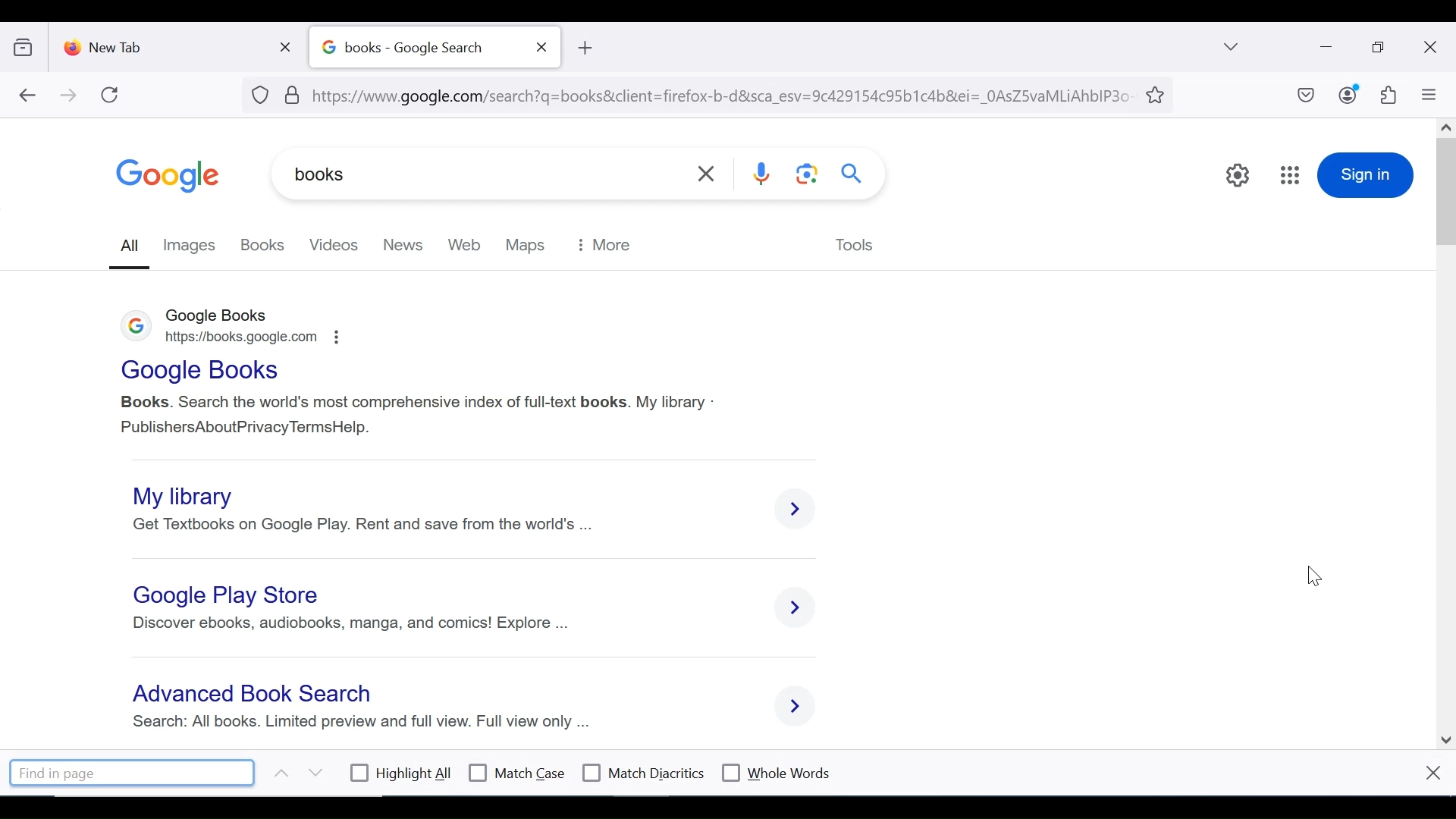 Image resolution: width=1456 pixels, height=819 pixels. What do you see at coordinates (417, 416) in the screenshot?
I see `Books. Search the world's most comprehensive index of full-text books. My library -
PublishersAboutPrivacy TermsHelp.` at bounding box center [417, 416].